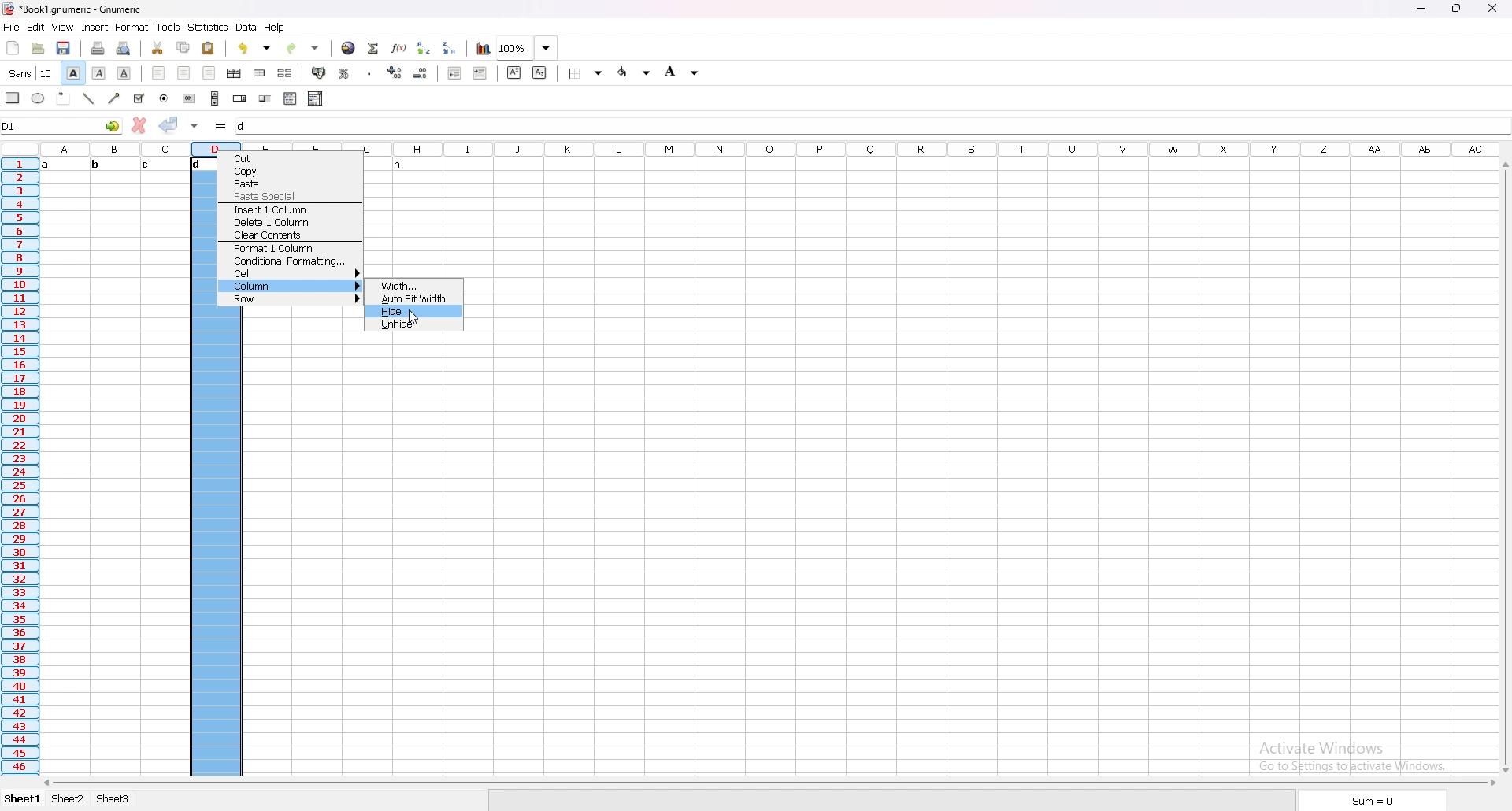 This screenshot has width=1512, height=811. I want to click on decrease indent, so click(455, 72).